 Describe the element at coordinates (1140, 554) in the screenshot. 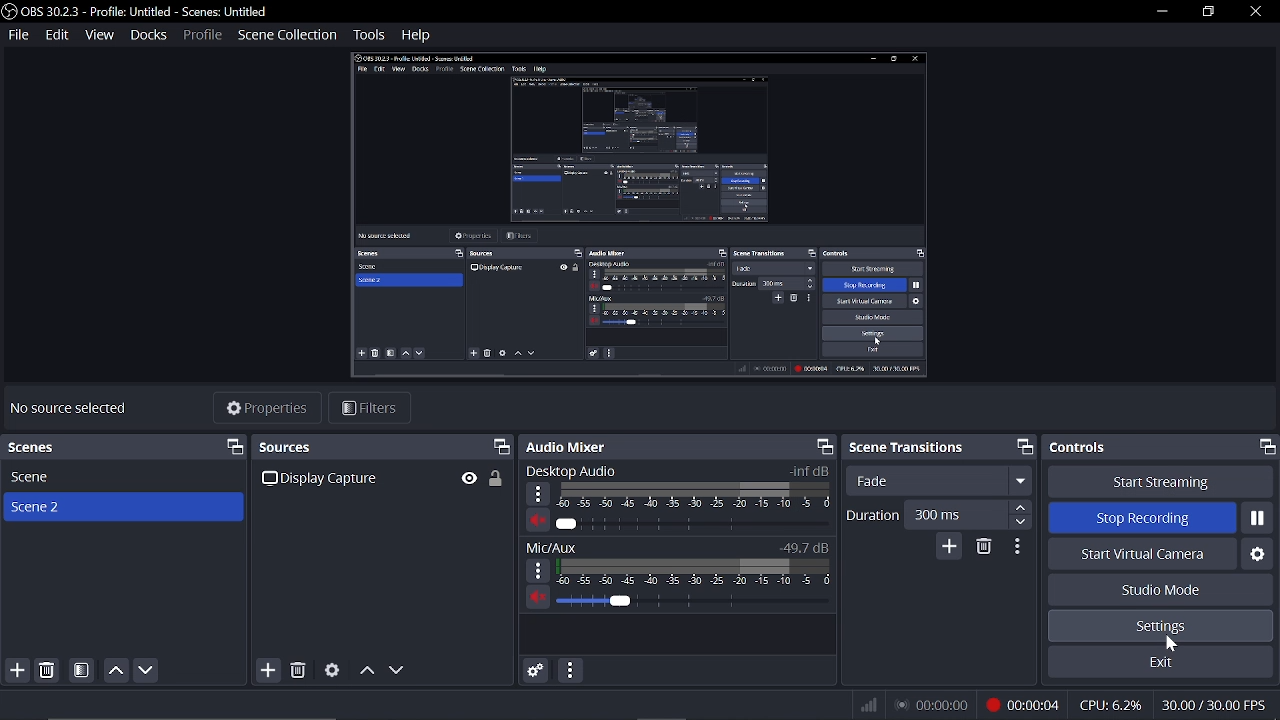

I see `start virtual camera` at that location.